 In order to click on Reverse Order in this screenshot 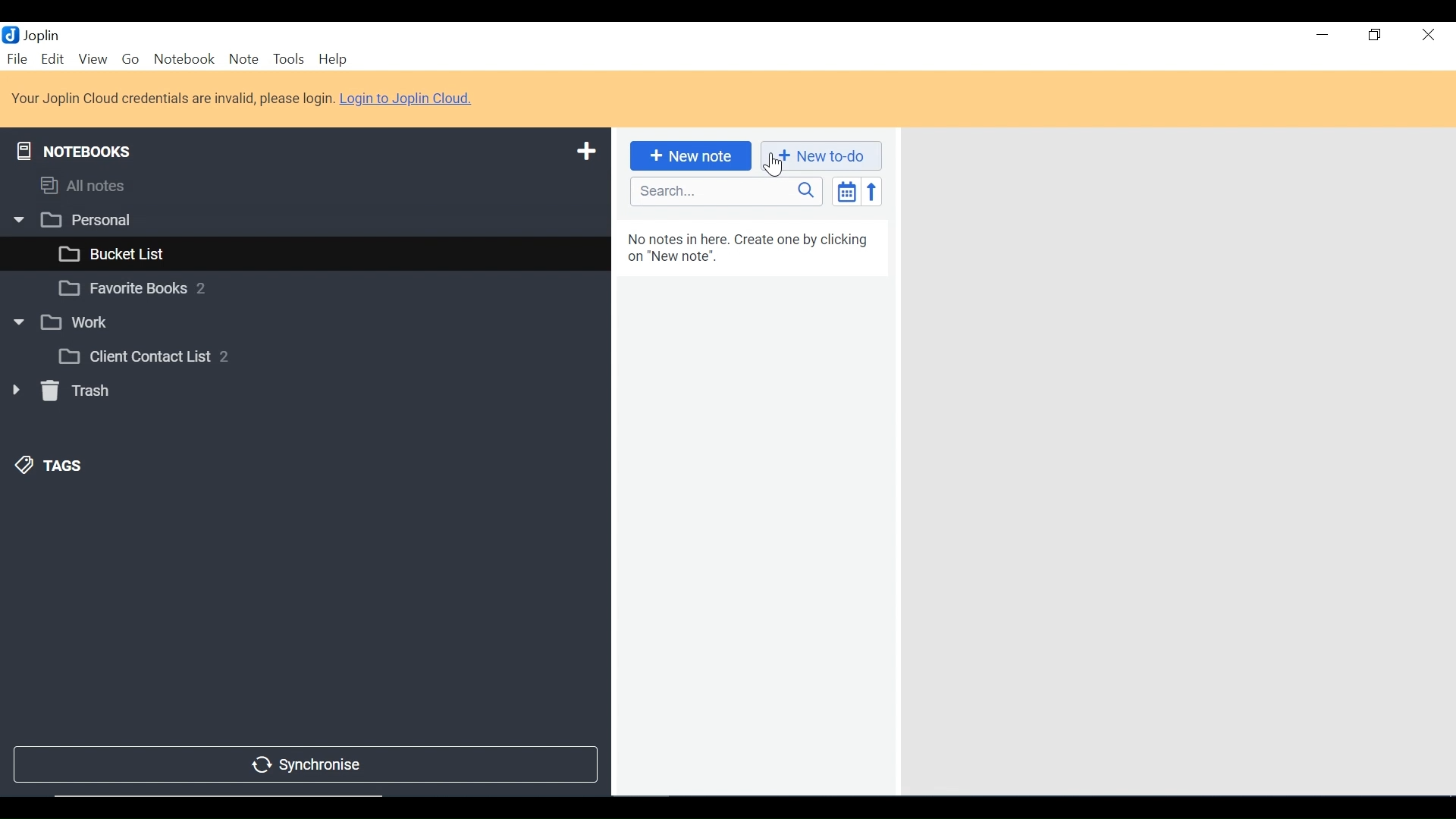, I will do `click(871, 191)`.